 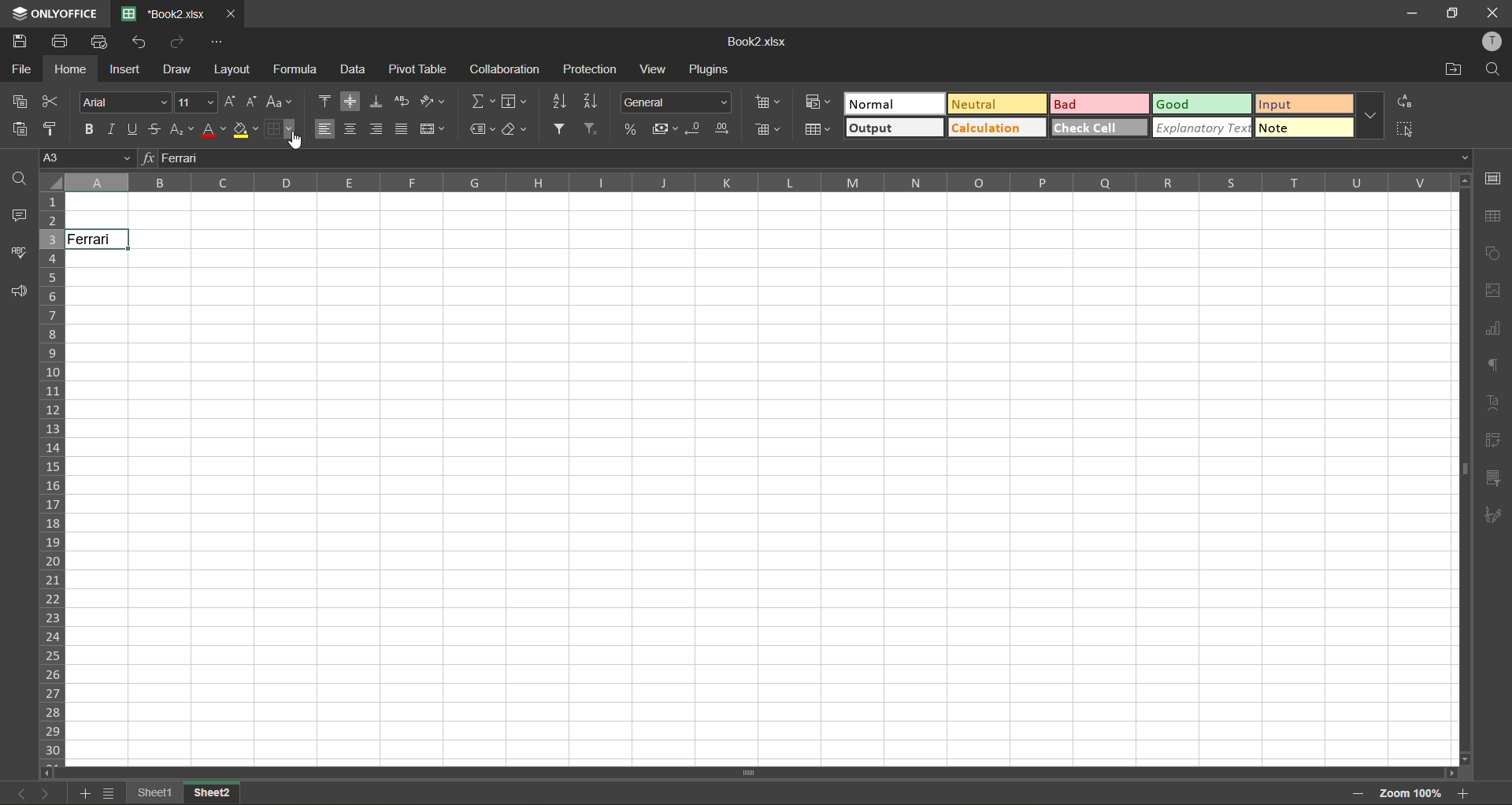 What do you see at coordinates (591, 71) in the screenshot?
I see `protection` at bounding box center [591, 71].